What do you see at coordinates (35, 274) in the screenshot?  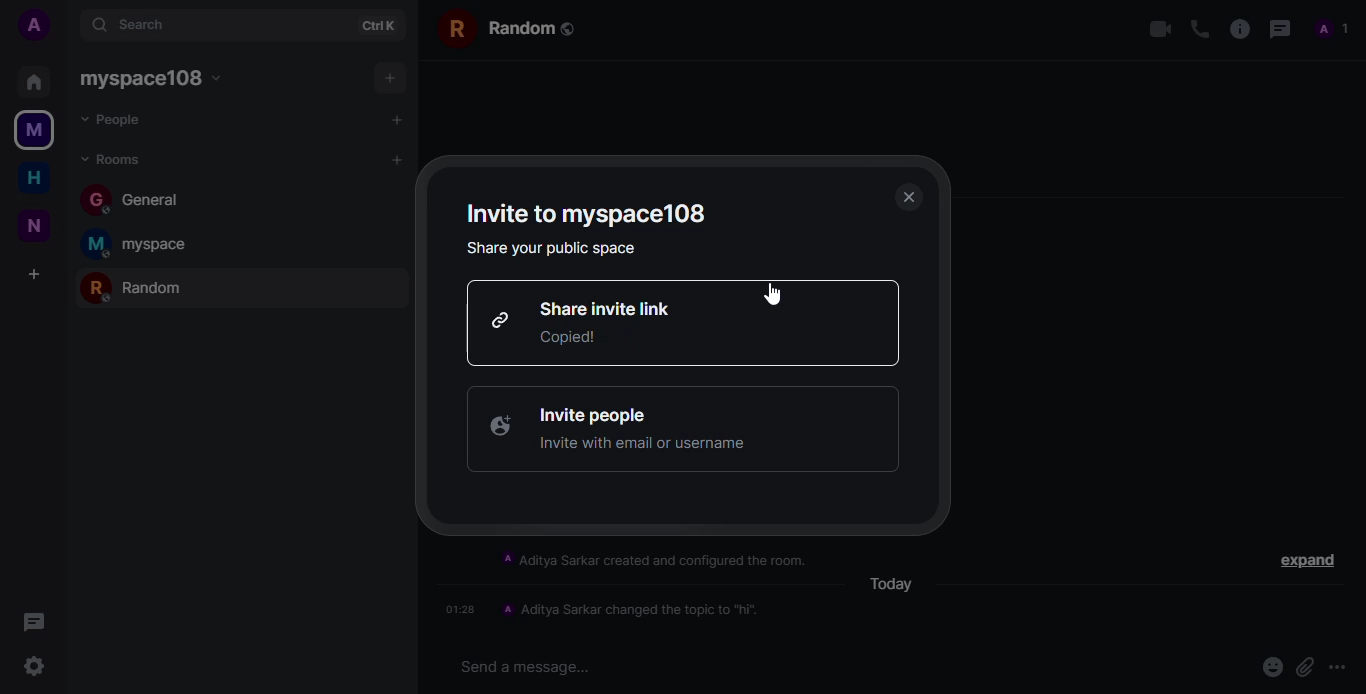 I see `add` at bounding box center [35, 274].